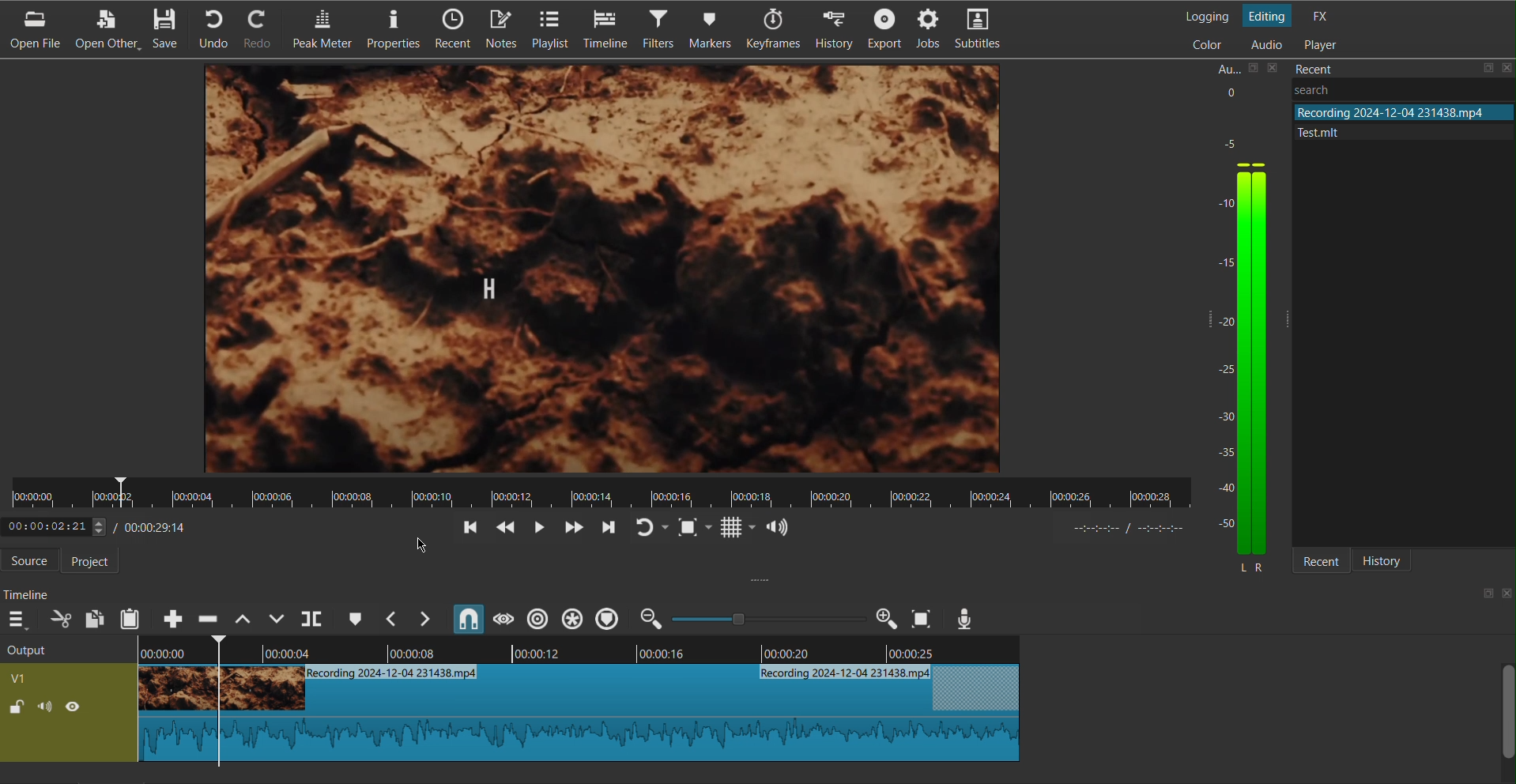 This screenshot has width=1516, height=784. I want to click on Previous Marker, so click(392, 618).